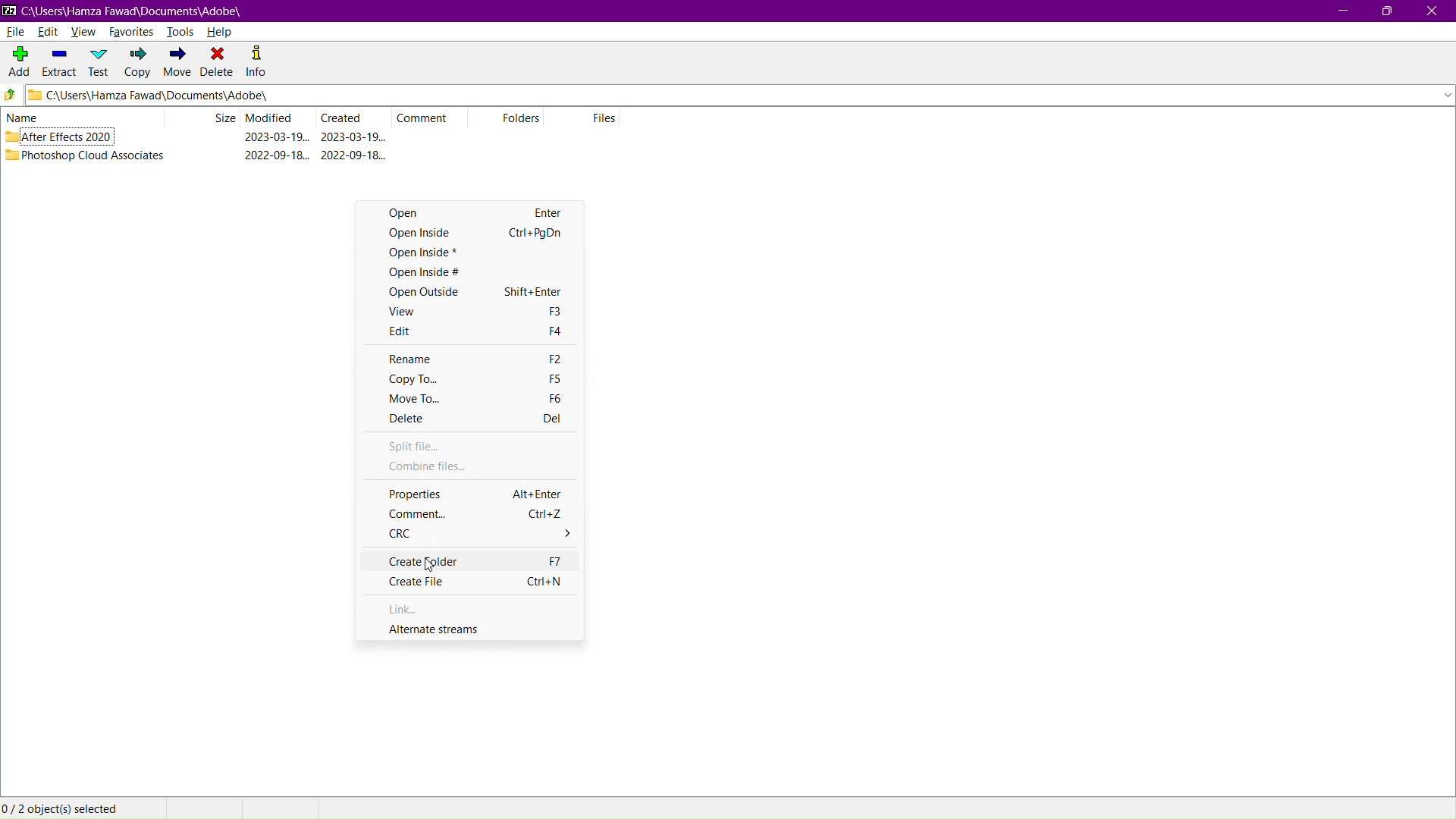  Describe the element at coordinates (470, 421) in the screenshot. I see `Delete` at that location.